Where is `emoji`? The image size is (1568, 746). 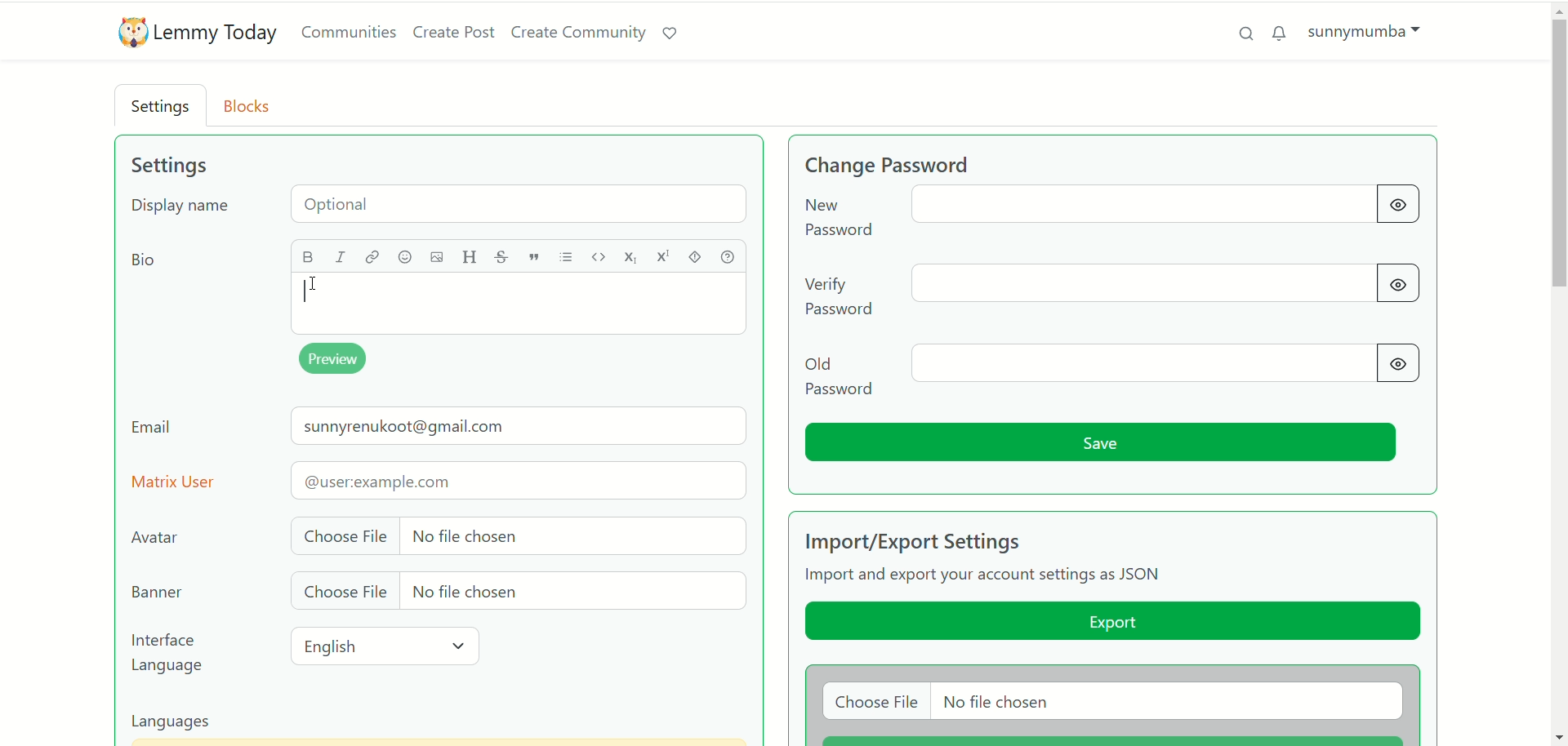
emoji is located at coordinates (404, 259).